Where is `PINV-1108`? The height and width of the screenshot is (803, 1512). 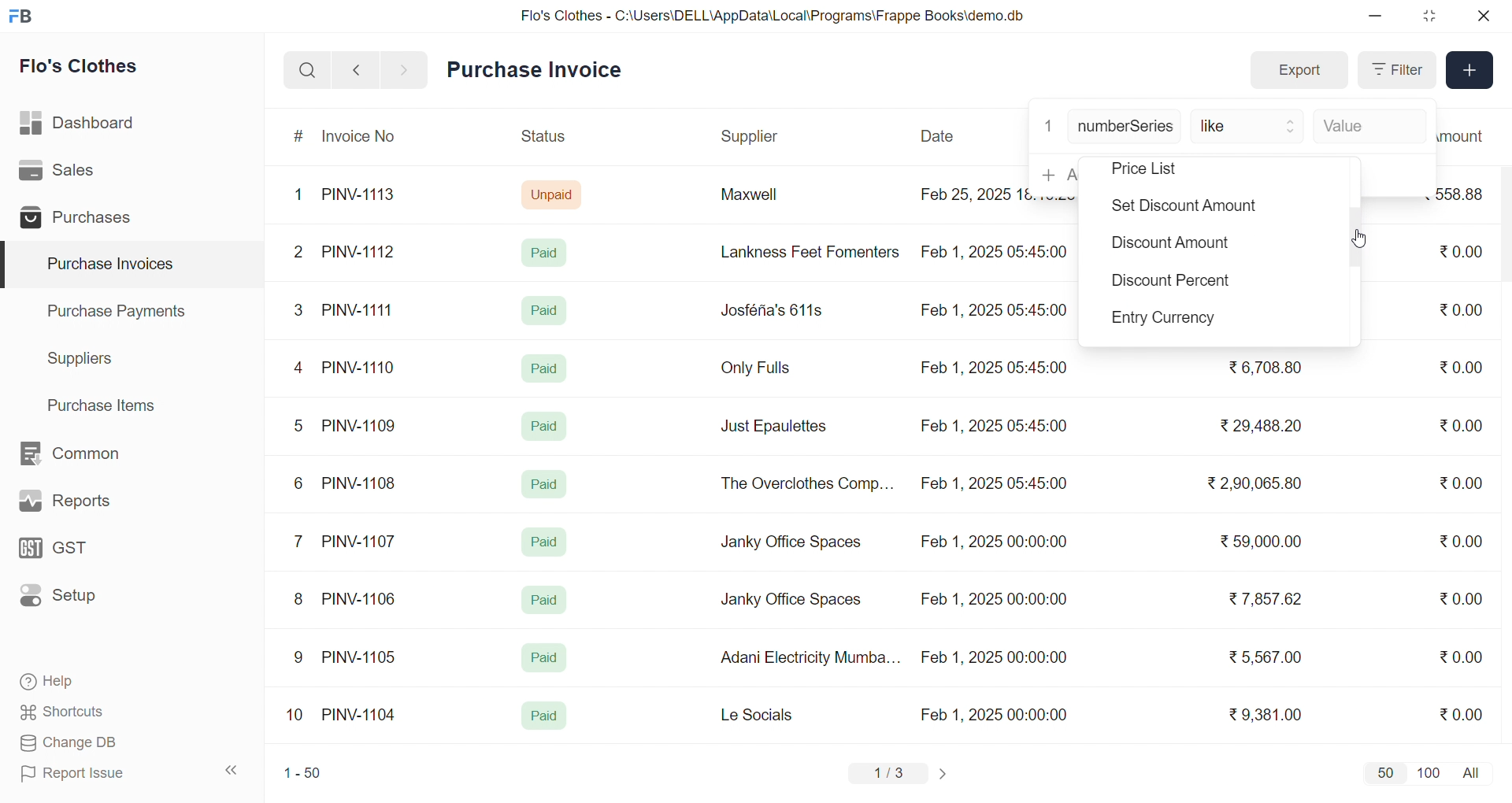 PINV-1108 is located at coordinates (360, 483).